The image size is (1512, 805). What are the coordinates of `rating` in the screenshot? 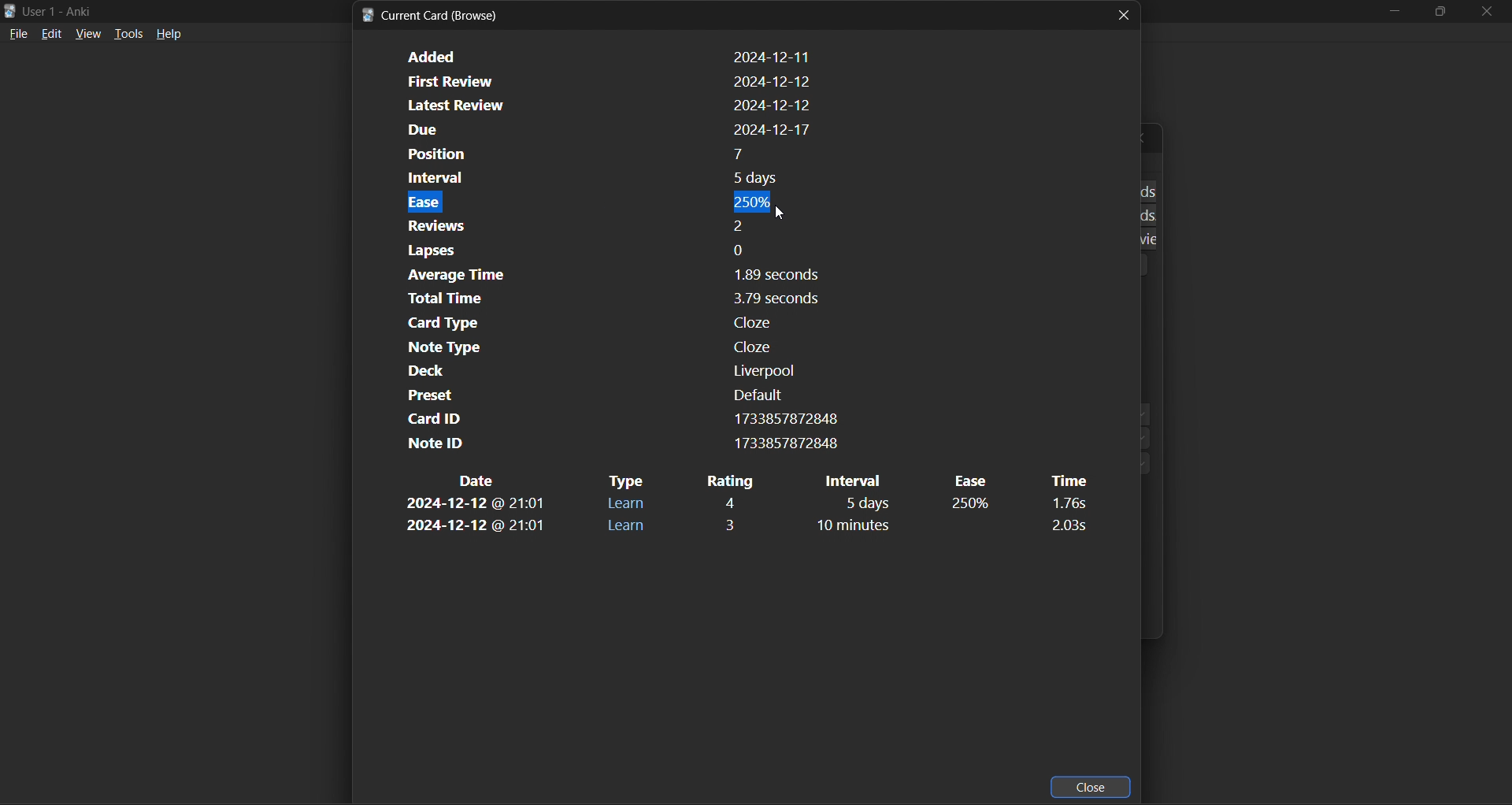 It's located at (732, 503).